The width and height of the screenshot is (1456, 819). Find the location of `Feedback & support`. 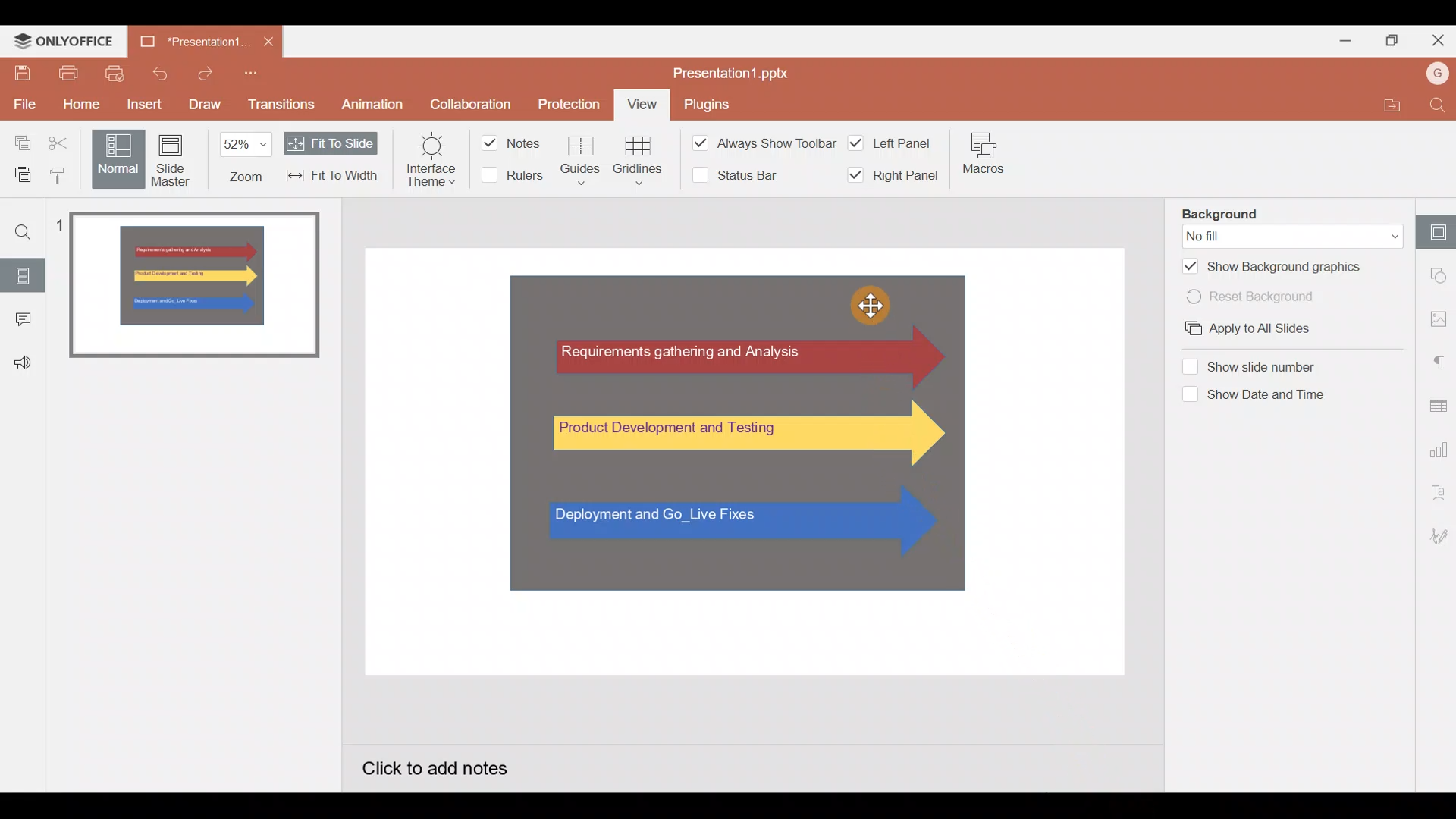

Feedback & support is located at coordinates (24, 357).